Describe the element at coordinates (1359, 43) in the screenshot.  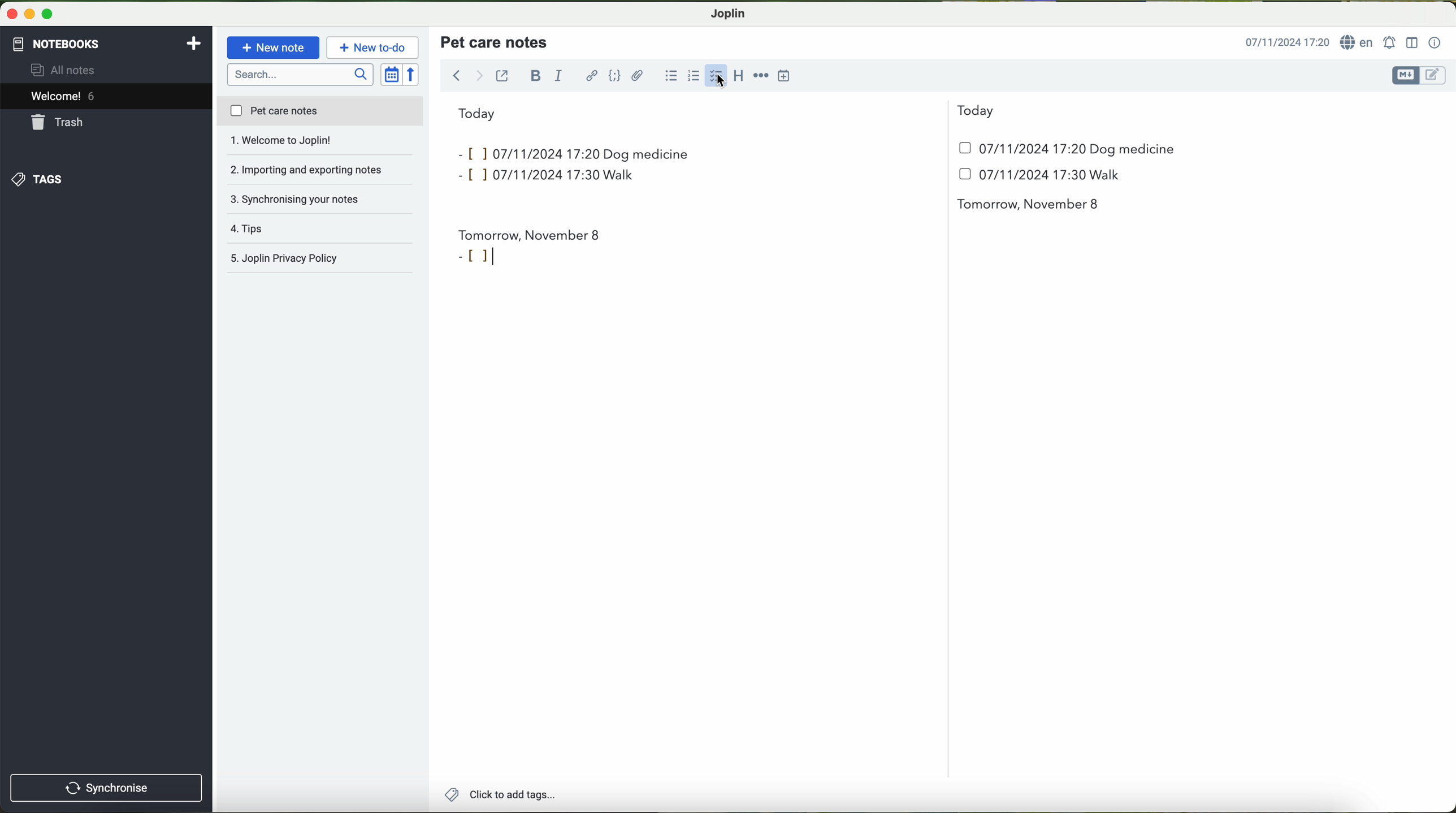
I see `language` at that location.